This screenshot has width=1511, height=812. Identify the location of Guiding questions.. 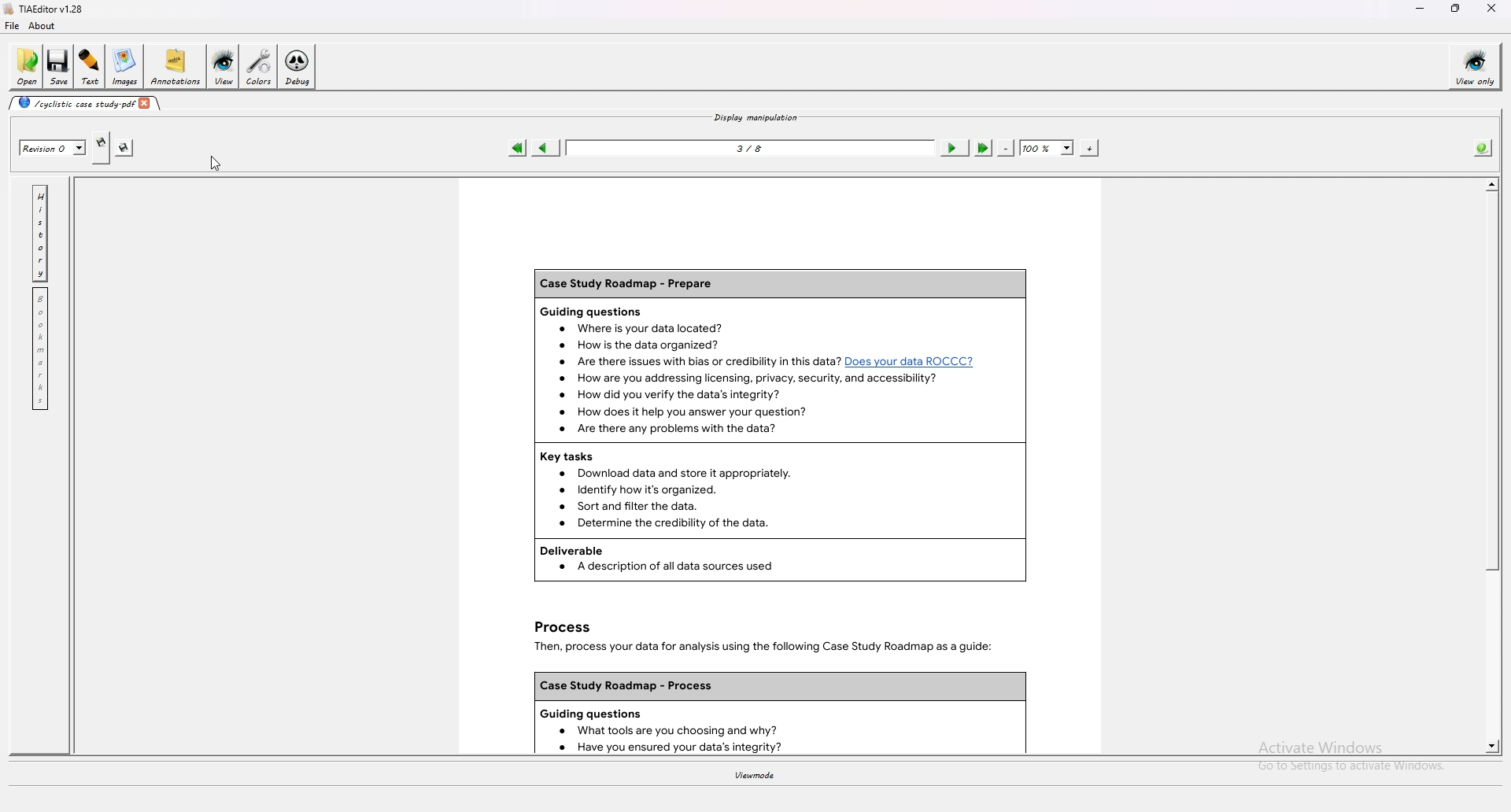
(595, 714).